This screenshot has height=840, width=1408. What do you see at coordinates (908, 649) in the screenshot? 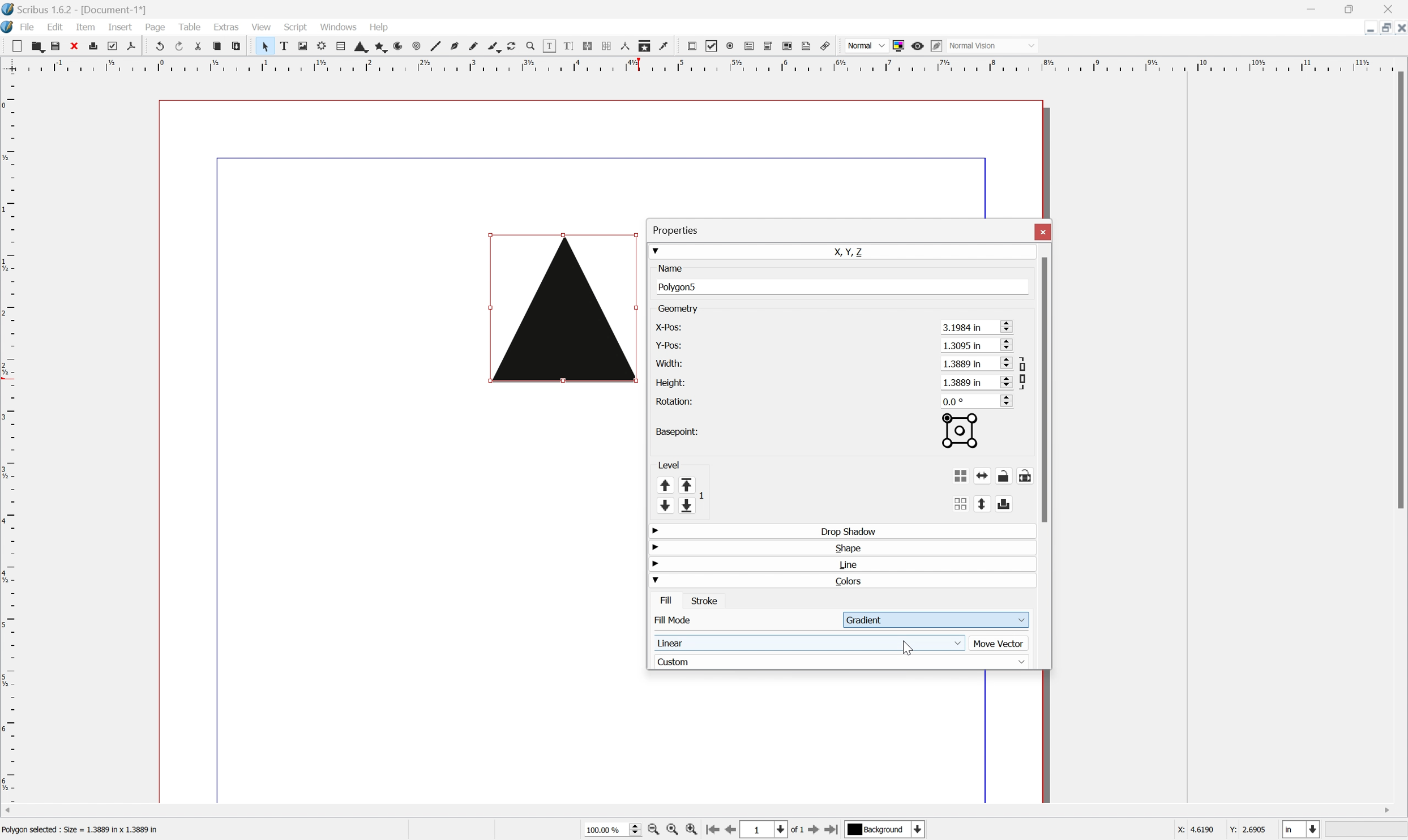
I see `Cursor` at bounding box center [908, 649].